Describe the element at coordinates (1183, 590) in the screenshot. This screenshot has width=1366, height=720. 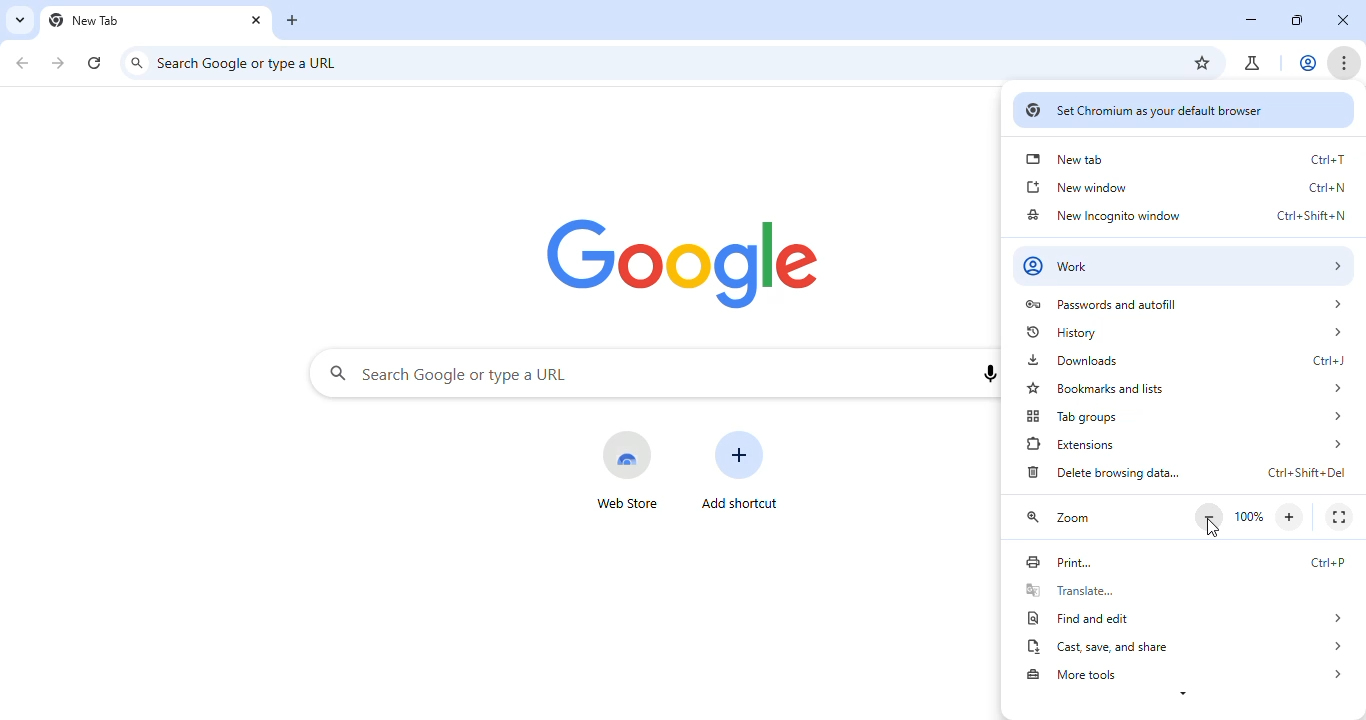
I see `translate` at that location.